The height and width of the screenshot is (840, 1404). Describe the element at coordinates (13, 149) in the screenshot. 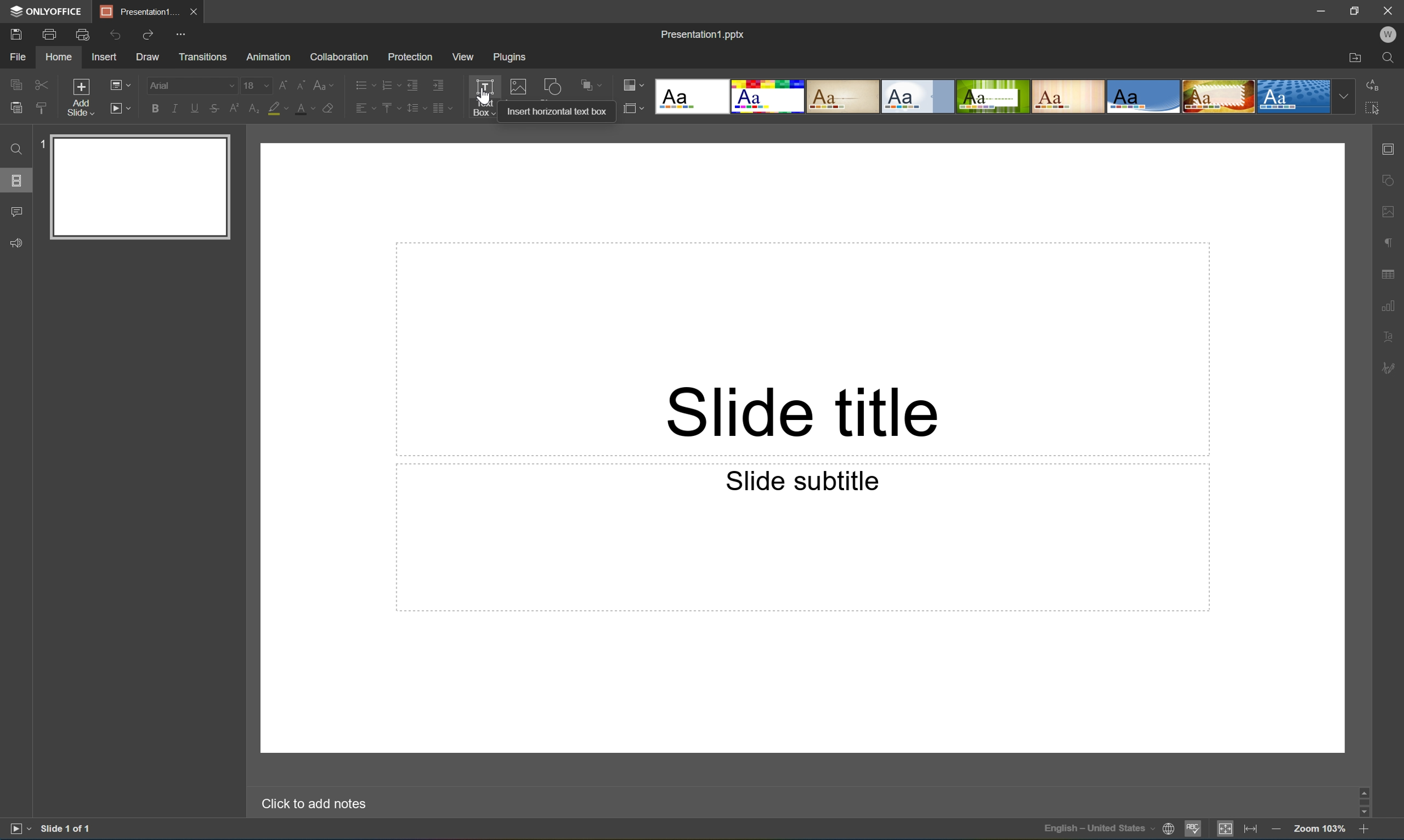

I see `Find` at that location.